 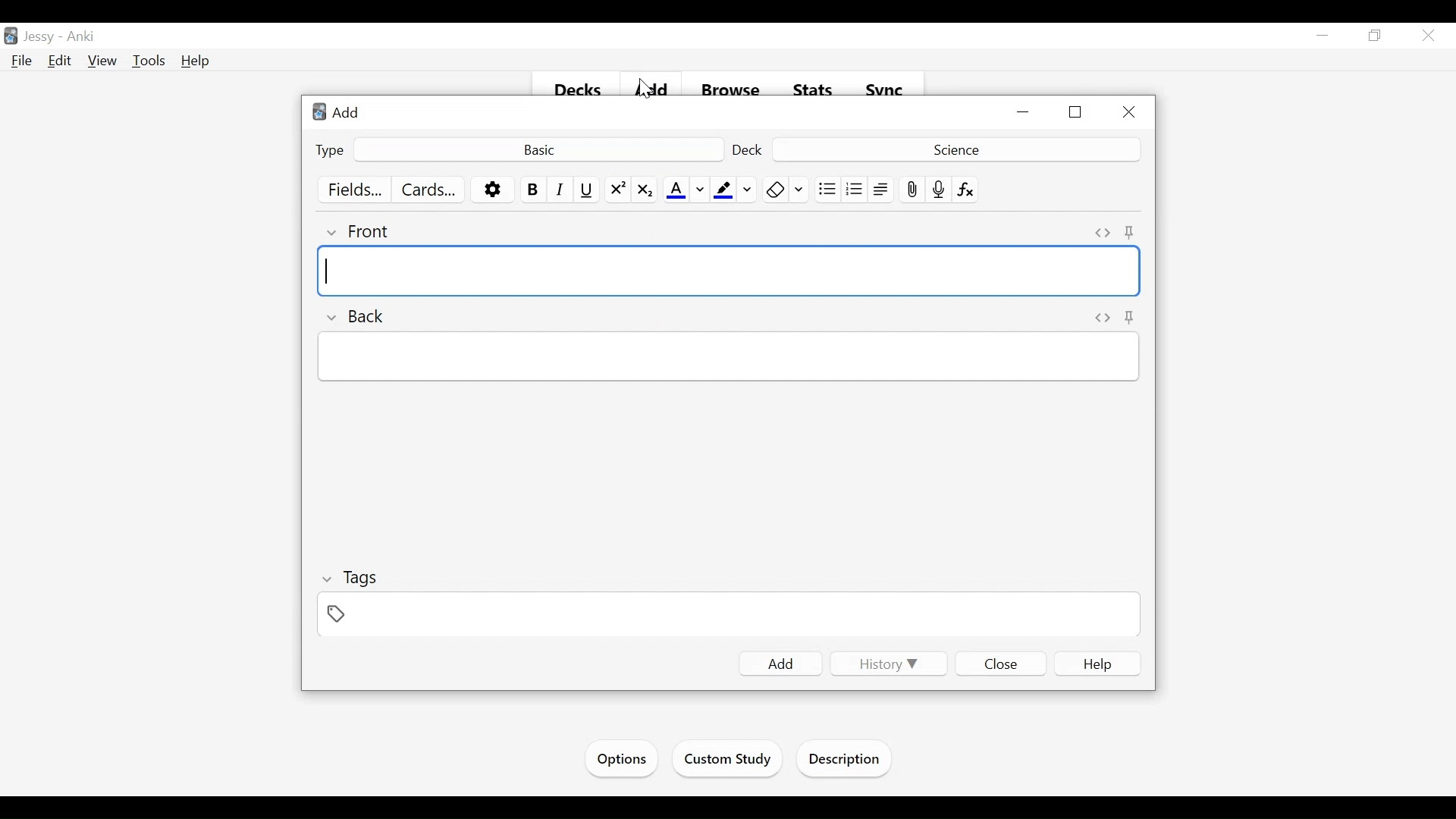 I want to click on History, so click(x=886, y=664).